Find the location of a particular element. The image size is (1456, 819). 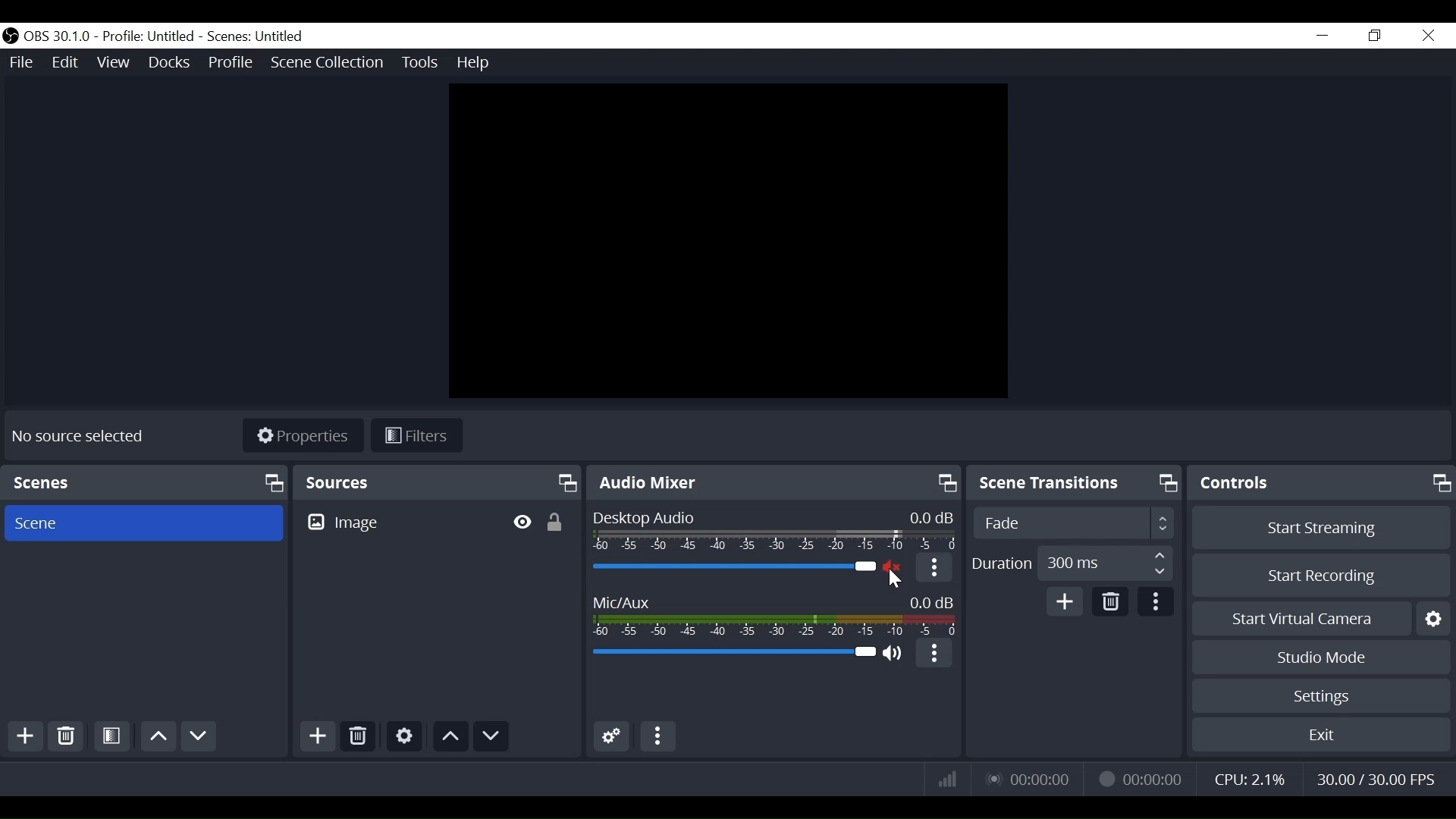

Sources is located at coordinates (438, 482).